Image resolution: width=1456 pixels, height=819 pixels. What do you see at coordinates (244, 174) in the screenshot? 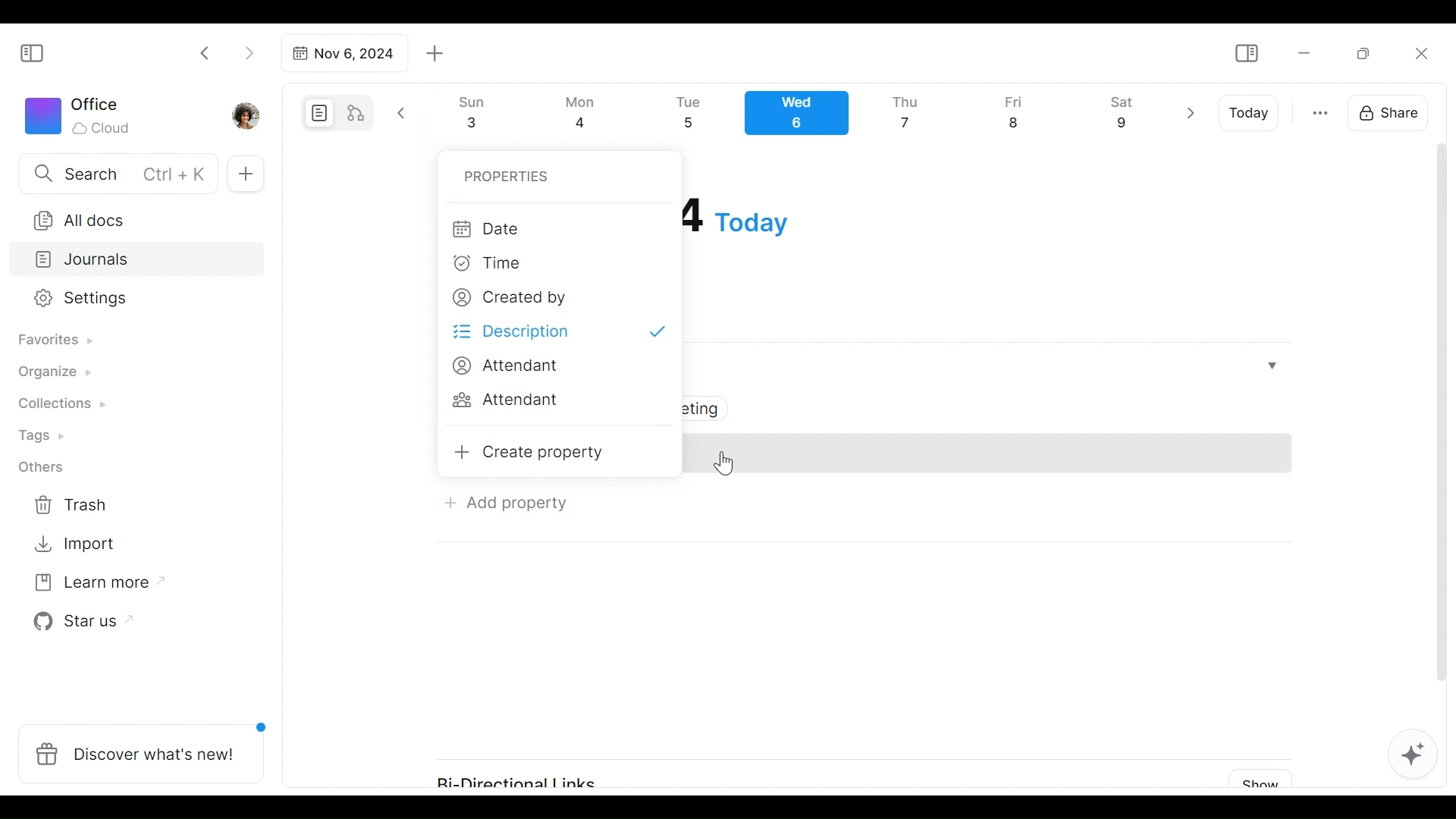
I see `Add new ` at bounding box center [244, 174].